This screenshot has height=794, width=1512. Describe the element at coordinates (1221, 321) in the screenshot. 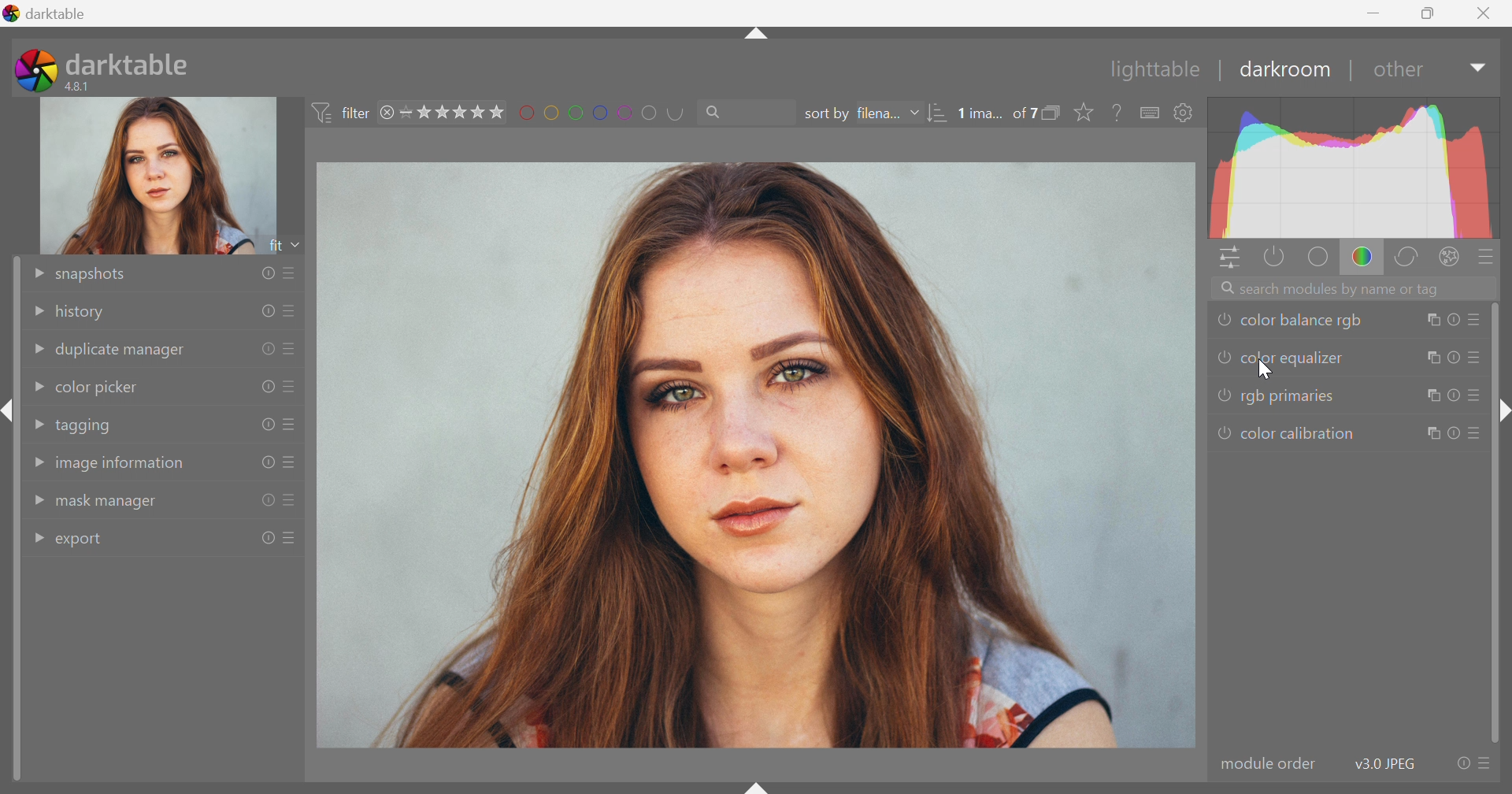

I see `'color balance rgb' is switched off` at that location.